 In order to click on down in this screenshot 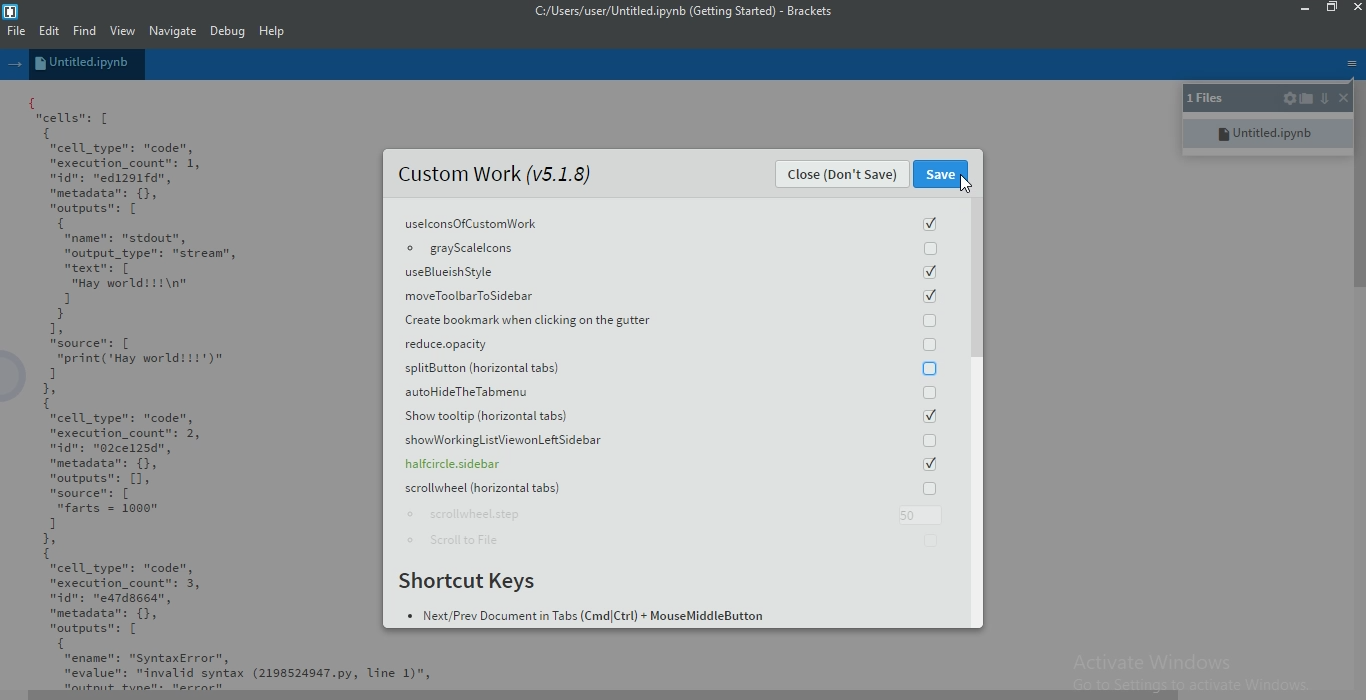, I will do `click(1324, 99)`.